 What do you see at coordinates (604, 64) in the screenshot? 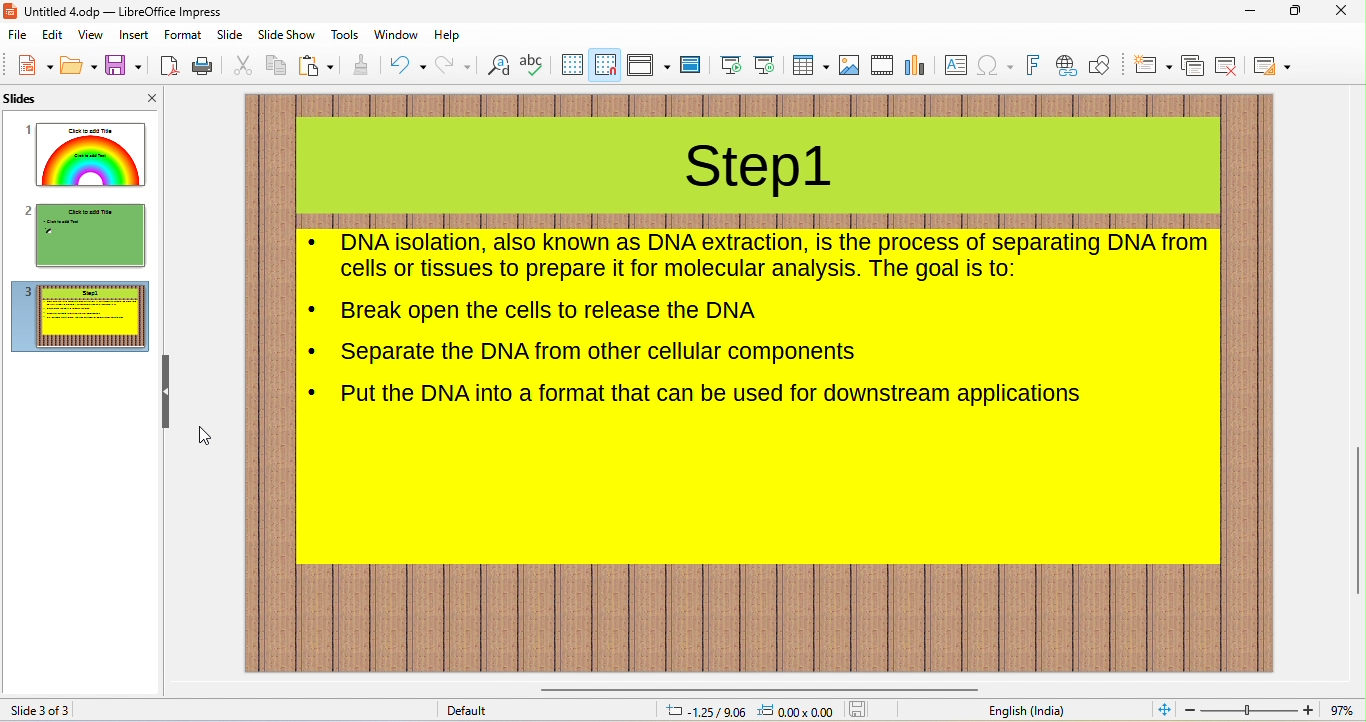
I see `snap to grid` at bounding box center [604, 64].